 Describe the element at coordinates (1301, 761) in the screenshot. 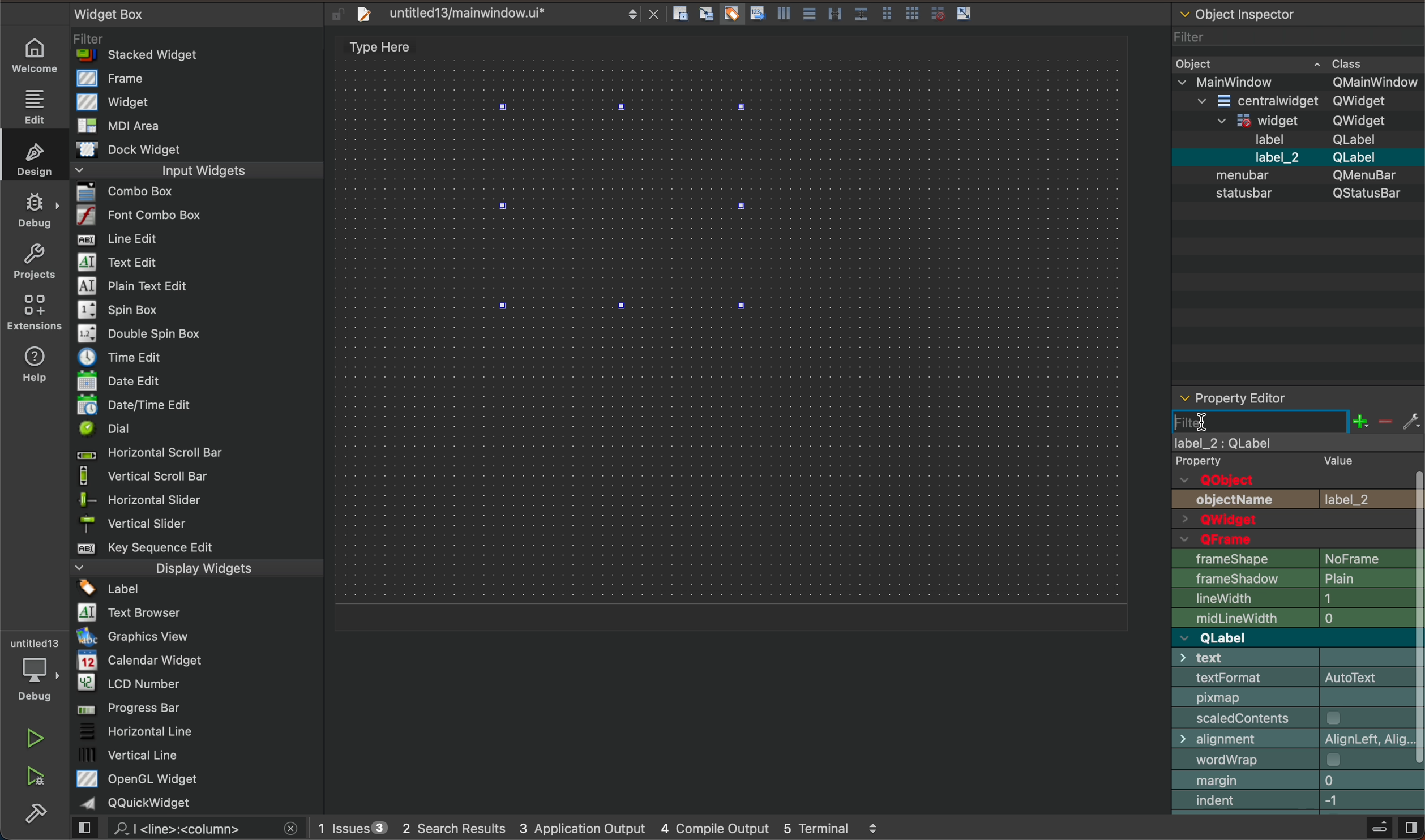

I see `` at that location.